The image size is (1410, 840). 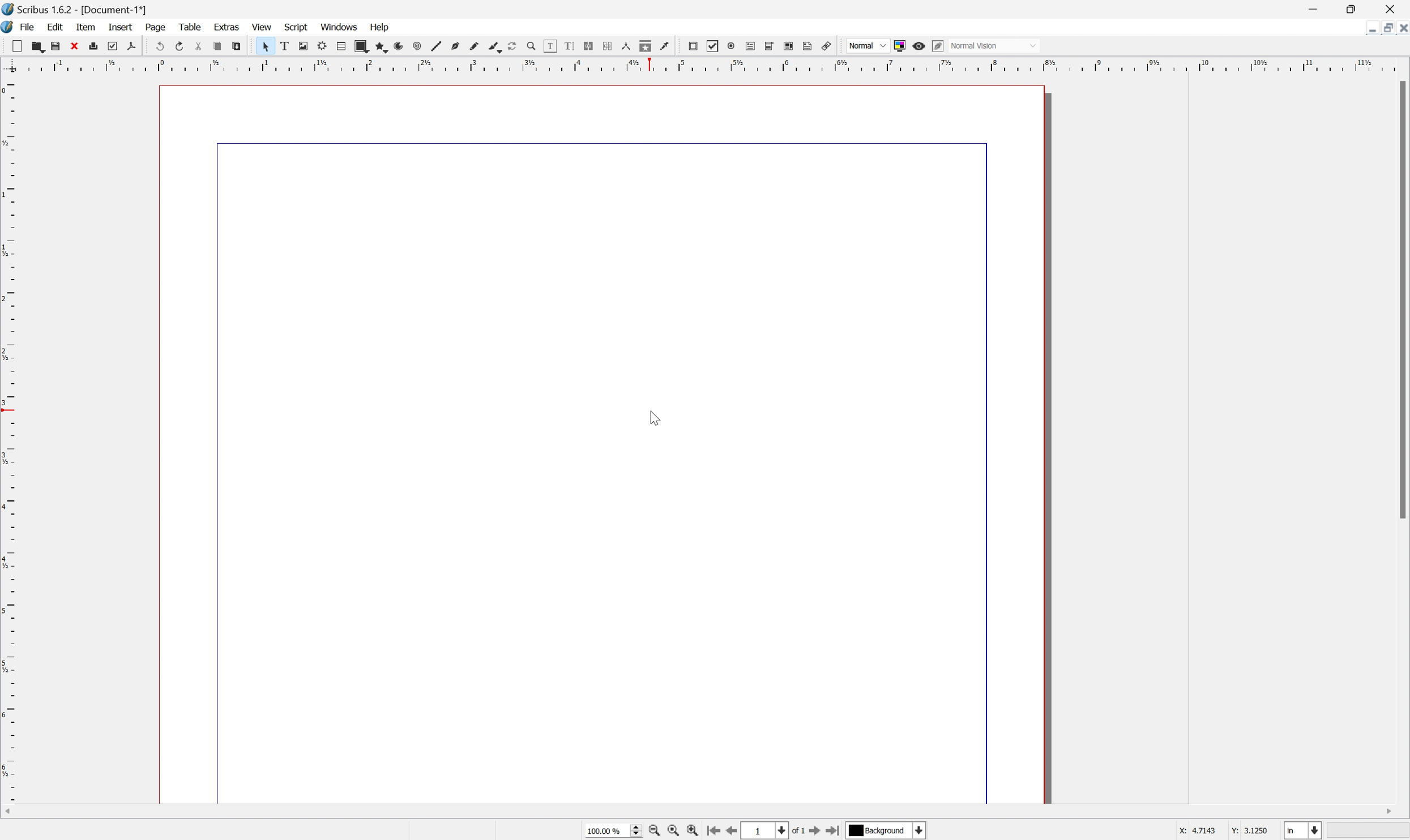 What do you see at coordinates (1355, 10) in the screenshot?
I see `Restore Down` at bounding box center [1355, 10].